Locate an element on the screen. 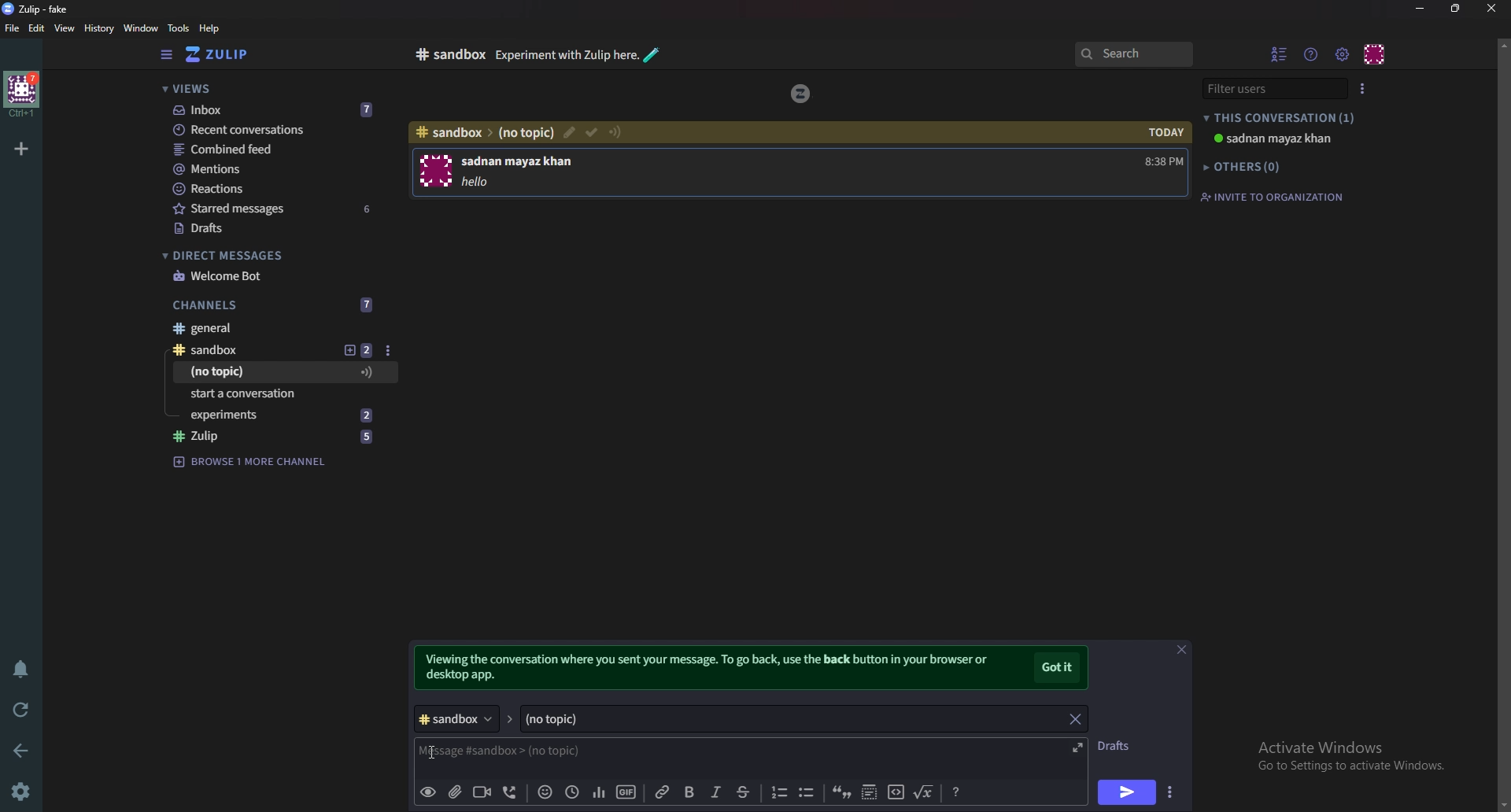 Image resolution: width=1511 pixels, height=812 pixels. (No topic) is located at coordinates (284, 372).